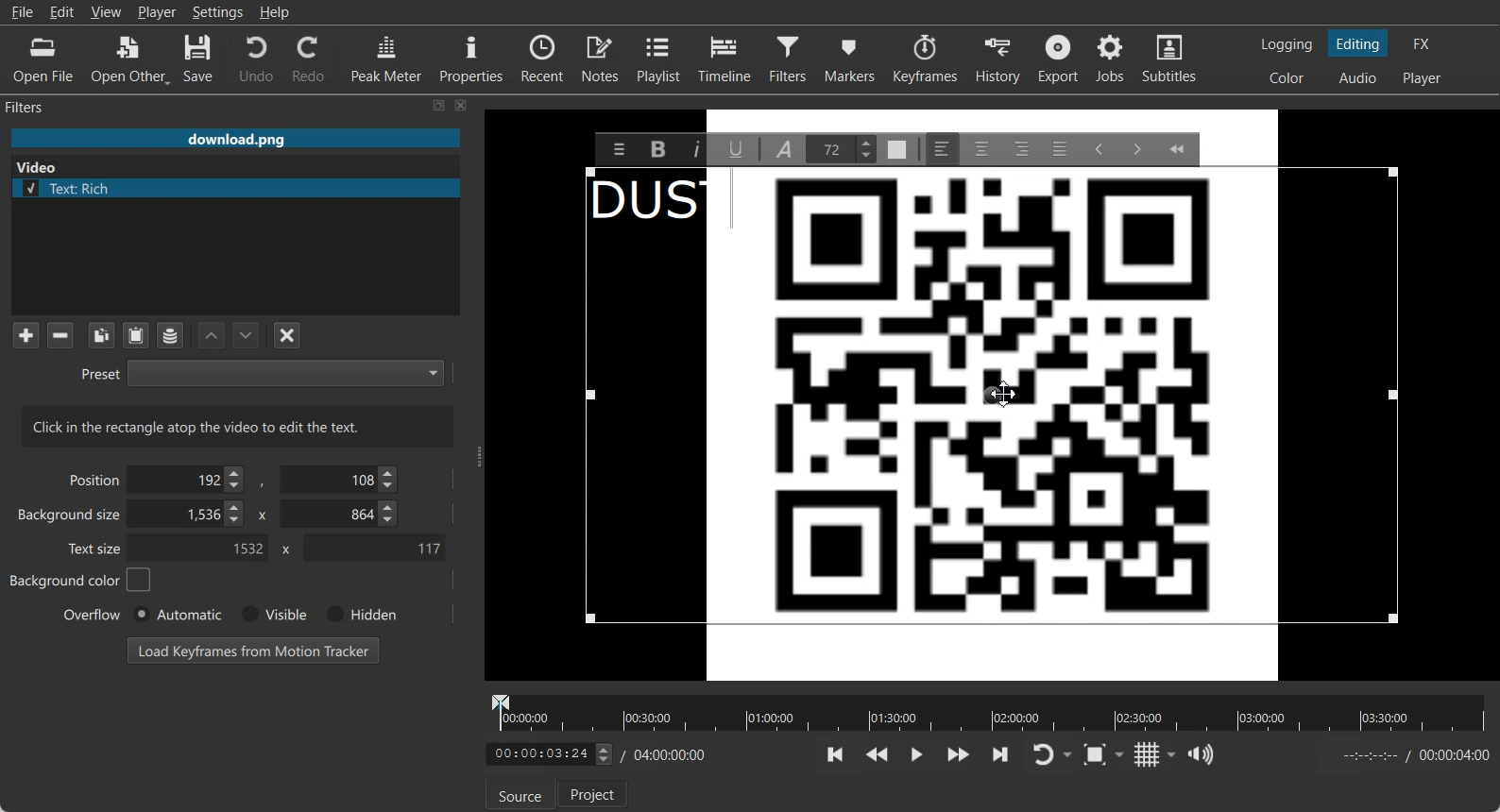  What do you see at coordinates (994, 425) in the screenshot?
I see `qr` at bounding box center [994, 425].